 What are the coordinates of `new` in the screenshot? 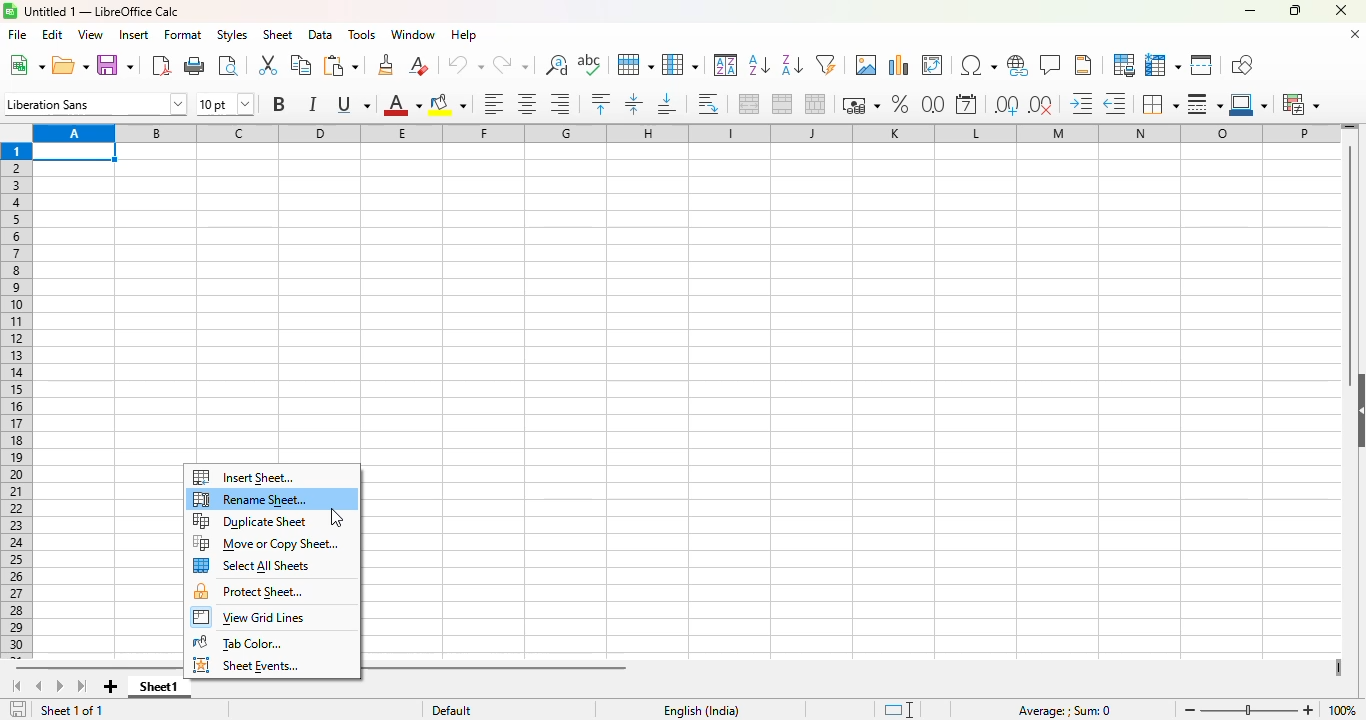 It's located at (26, 65).